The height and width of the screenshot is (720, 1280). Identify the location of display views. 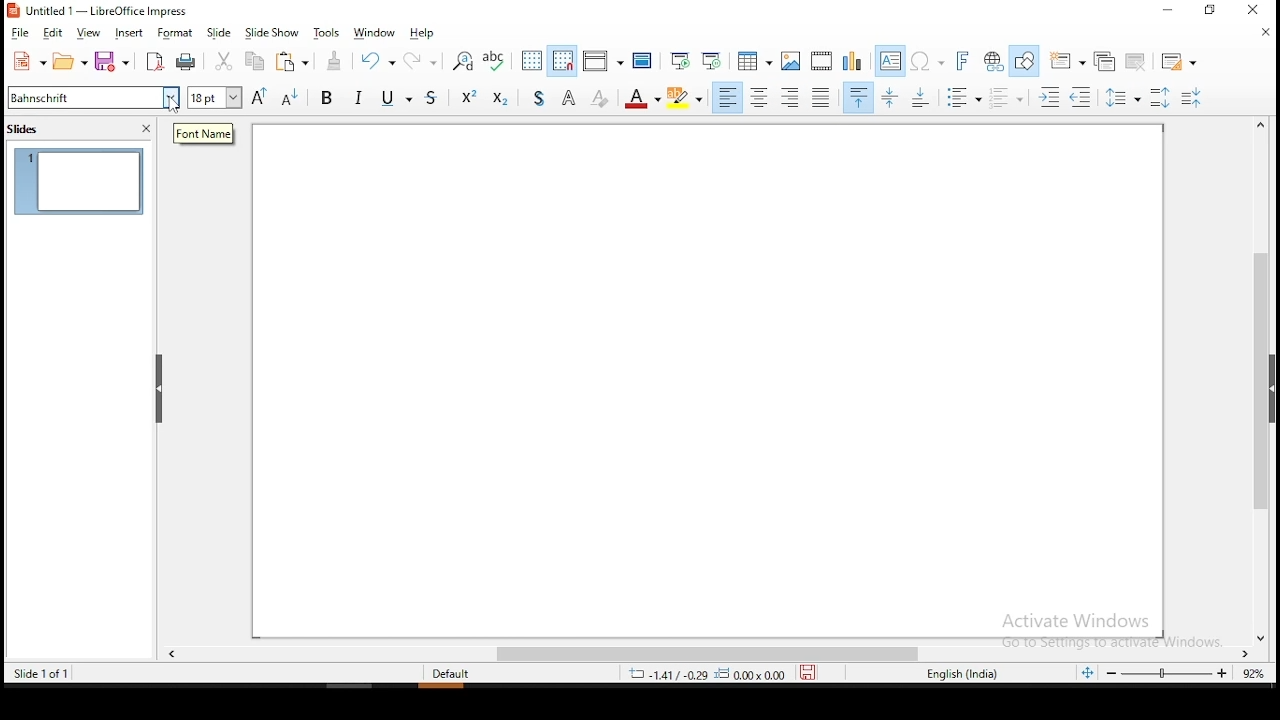
(601, 58).